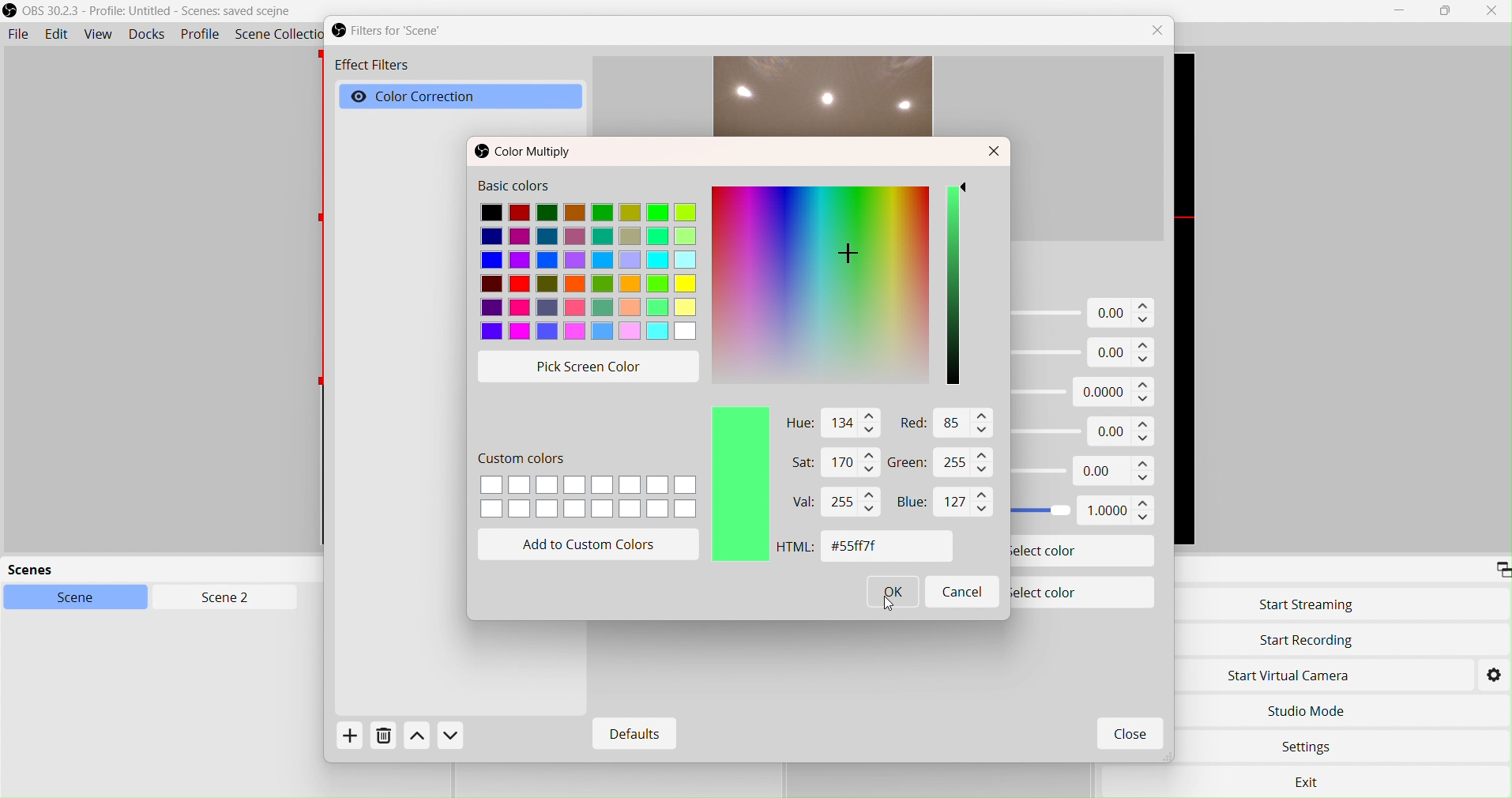 The width and height of the screenshot is (1512, 798). I want to click on Delete, so click(384, 740).